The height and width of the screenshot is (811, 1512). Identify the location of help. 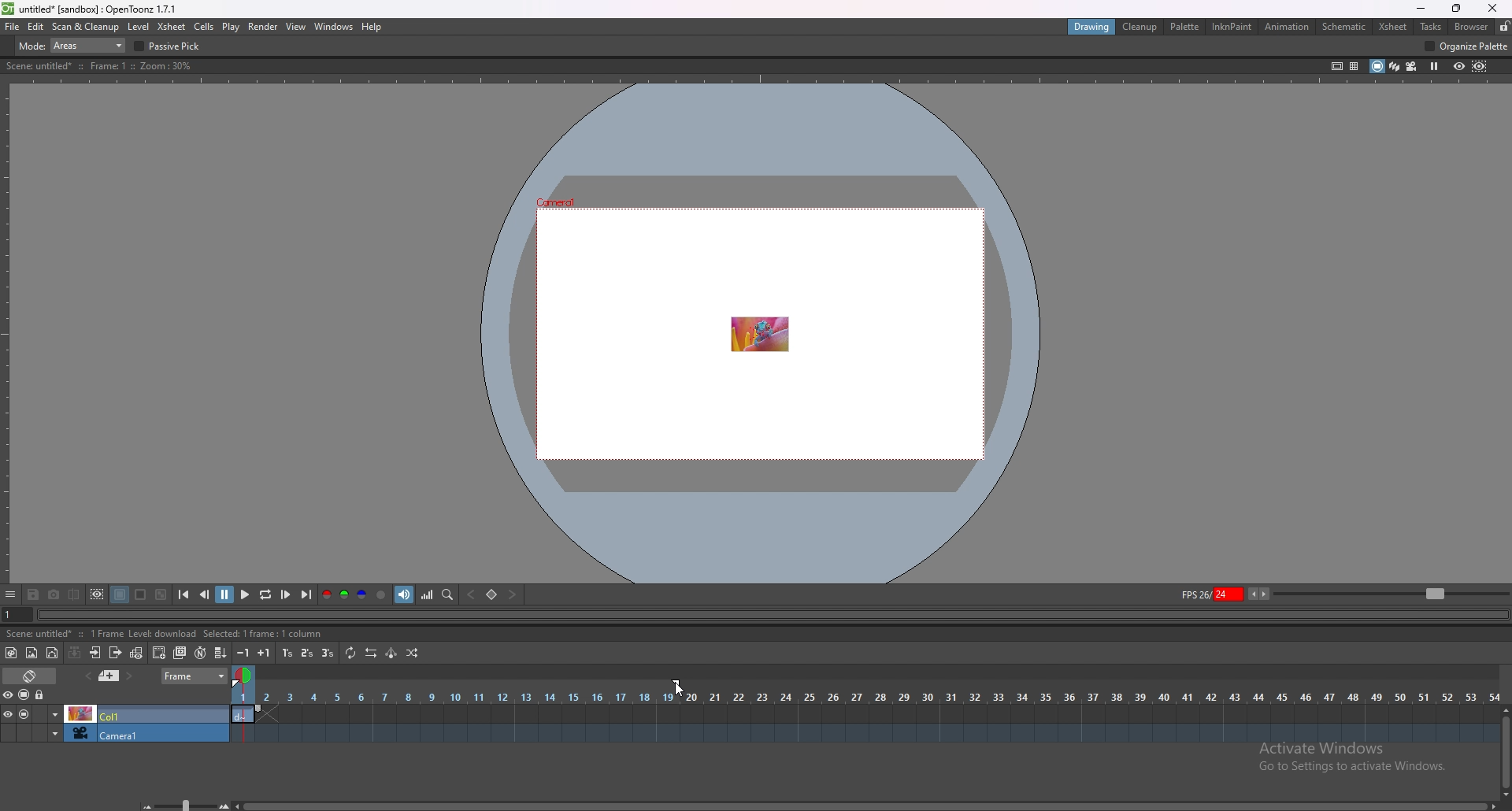
(371, 27).